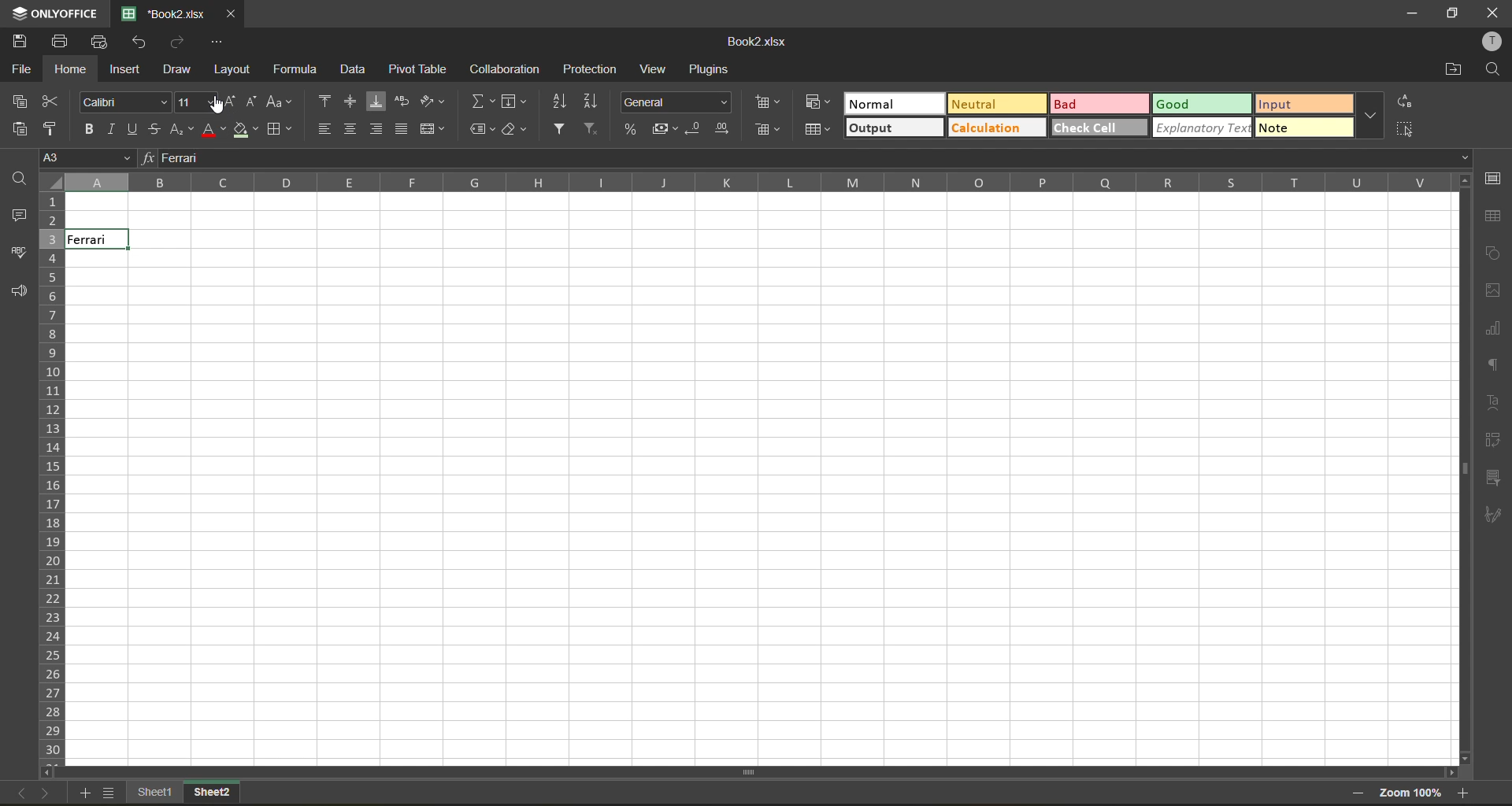 Image resolution: width=1512 pixels, height=806 pixels. I want to click on sort ascending, so click(562, 104).